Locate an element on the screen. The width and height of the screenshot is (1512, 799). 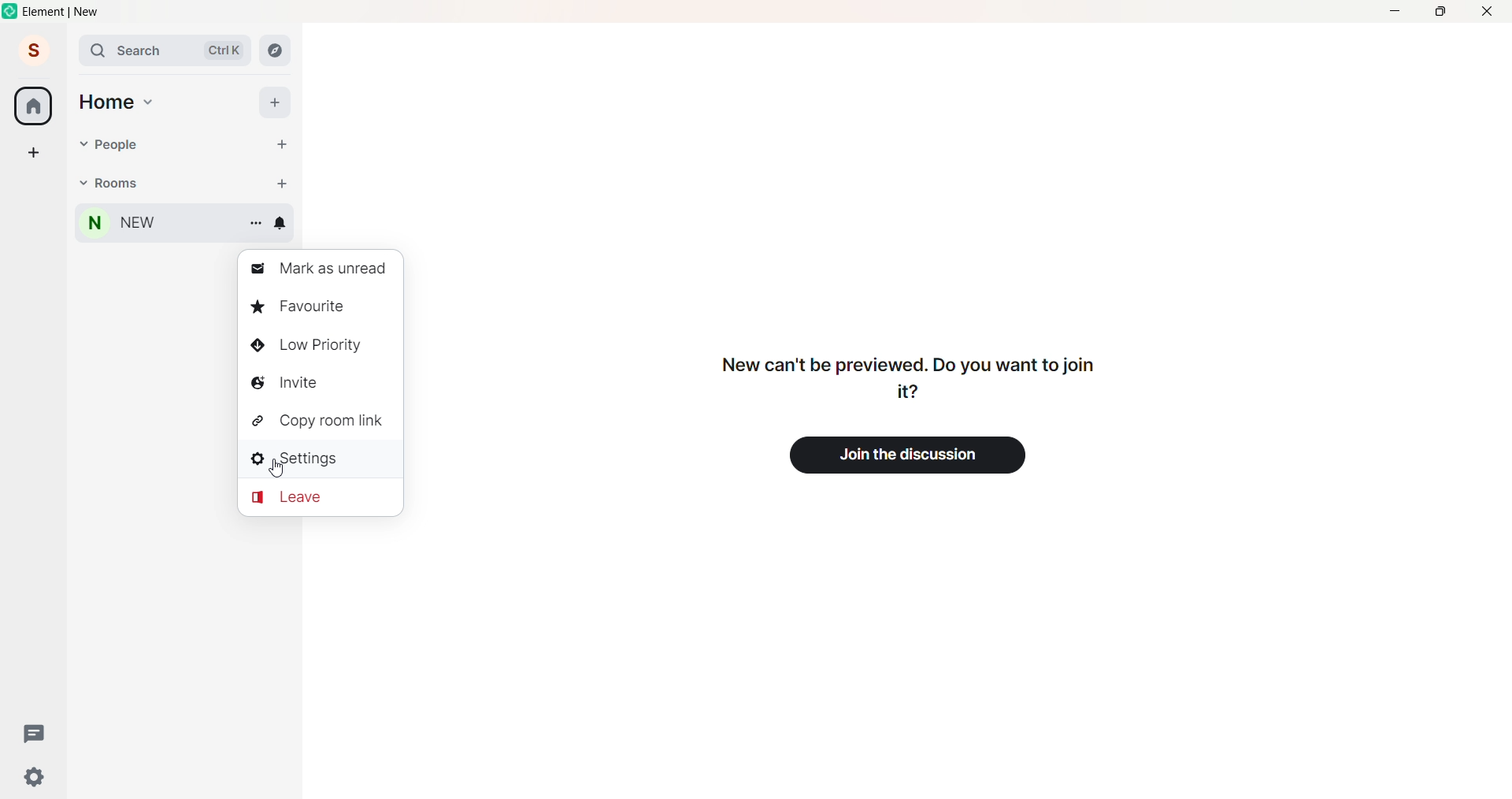
copy room link is located at coordinates (322, 422).